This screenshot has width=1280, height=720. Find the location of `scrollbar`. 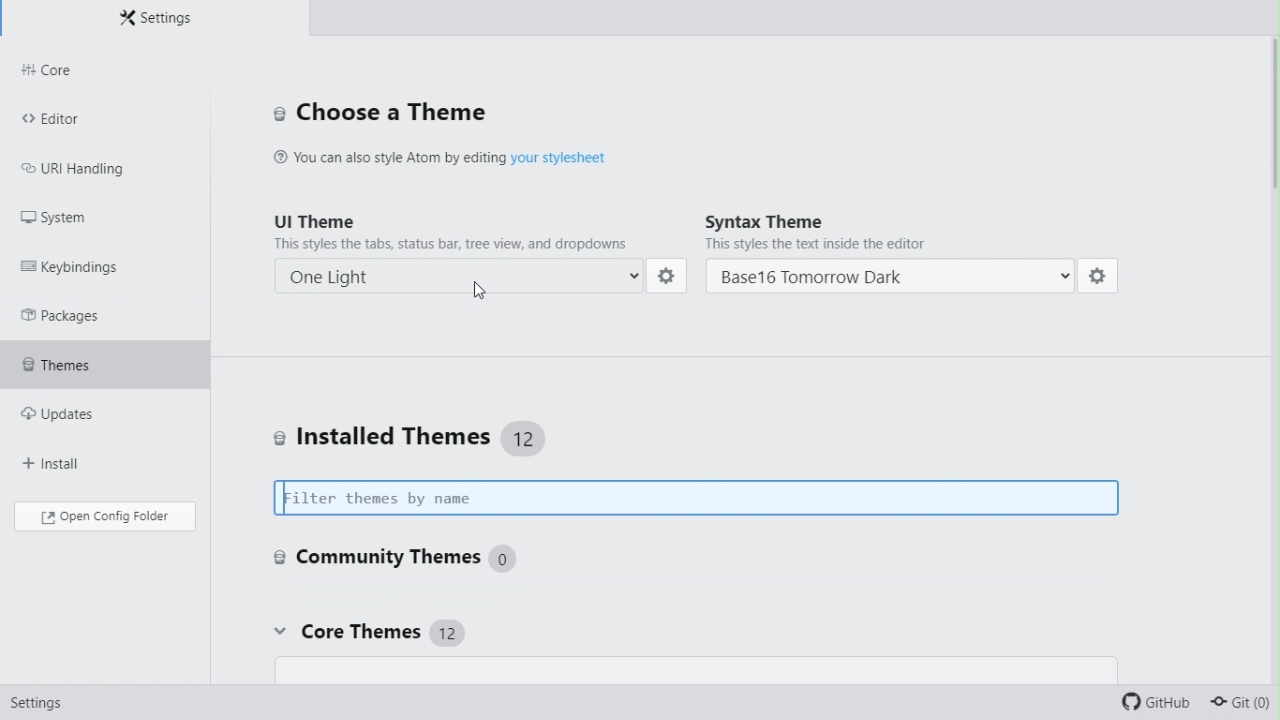

scrollbar is located at coordinates (1271, 132).